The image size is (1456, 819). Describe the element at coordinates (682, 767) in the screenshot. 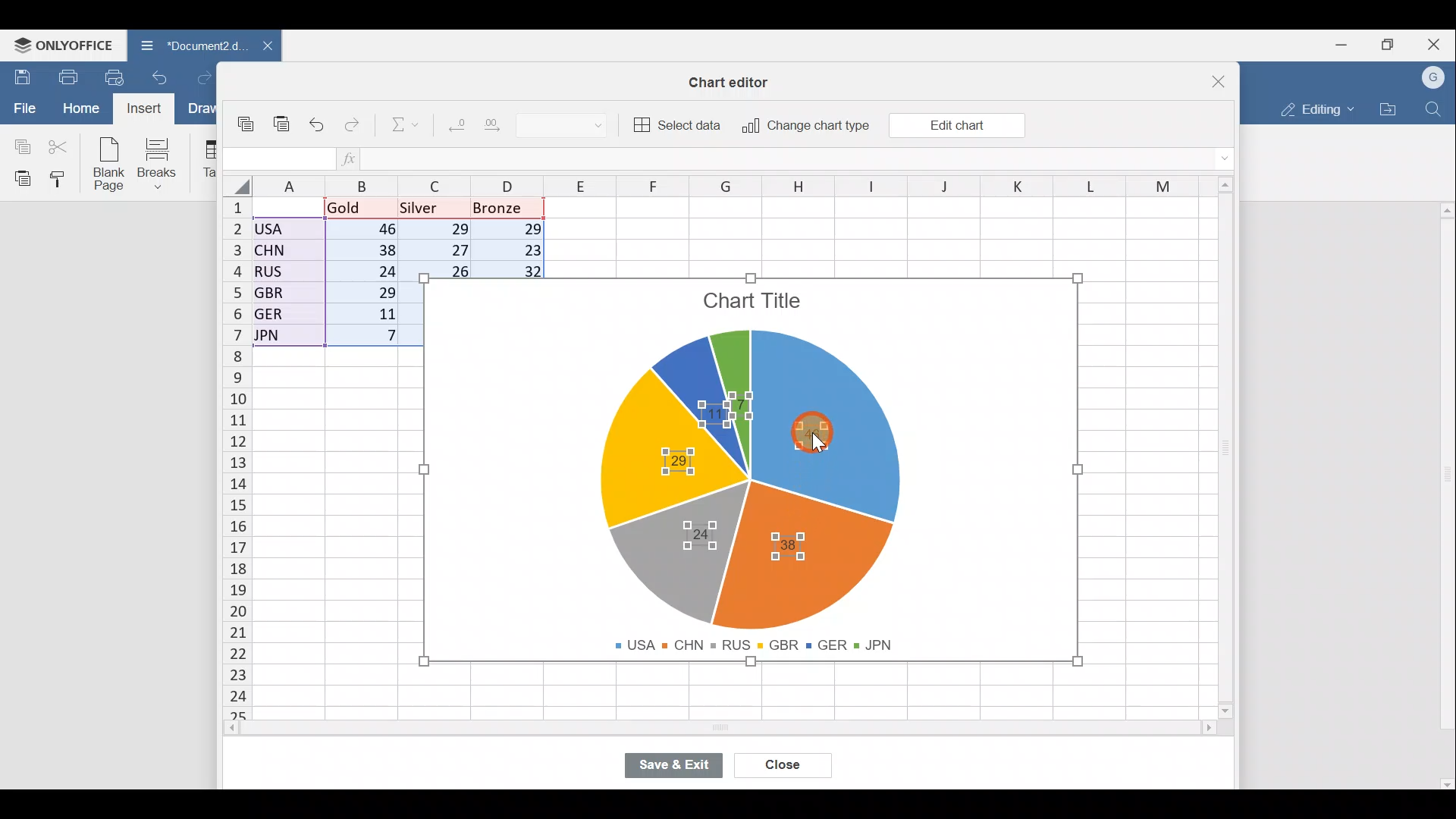

I see `Save & exit` at that location.